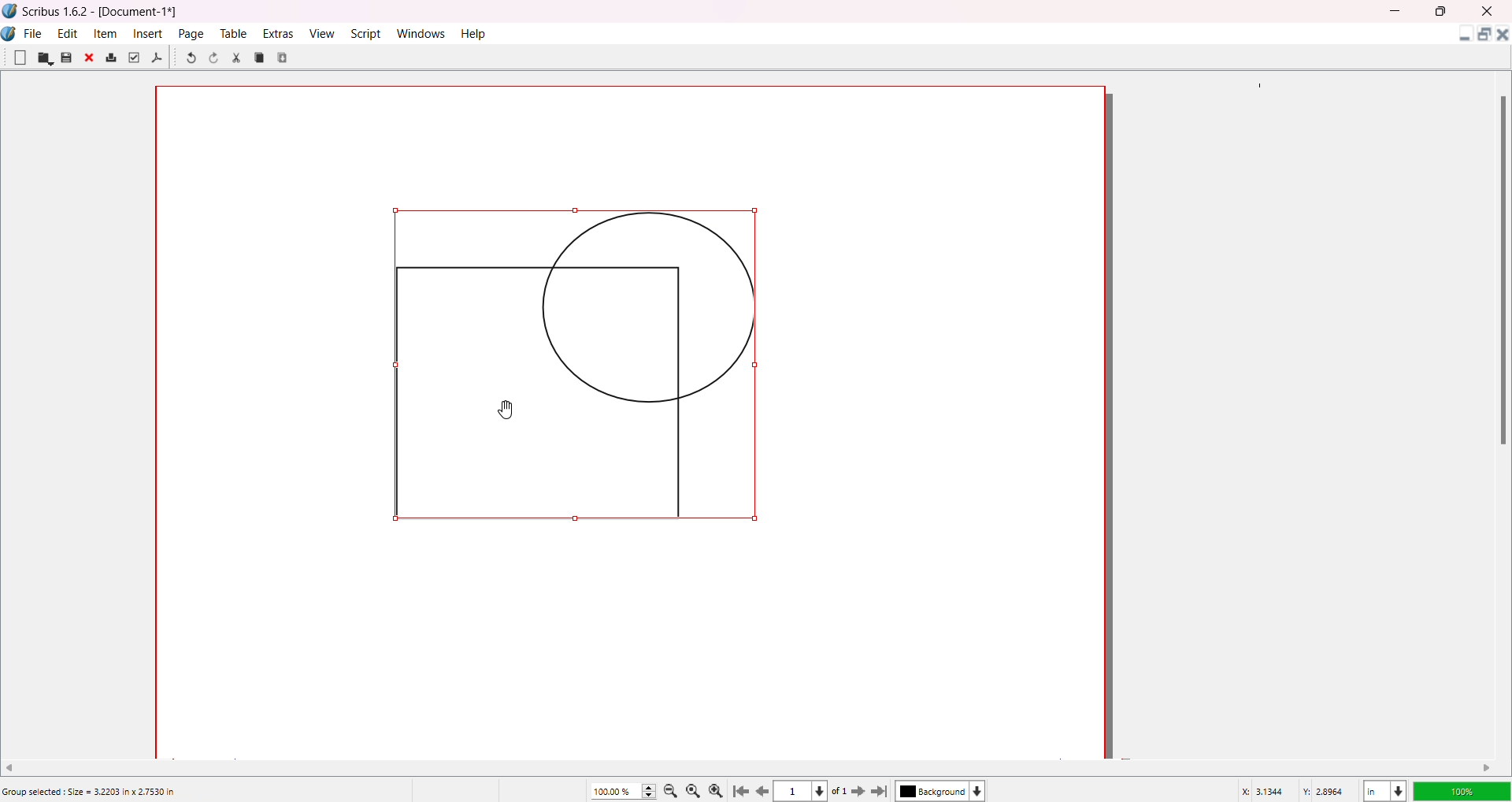 Image resolution: width=1512 pixels, height=802 pixels. What do you see at coordinates (475, 33) in the screenshot?
I see `Help` at bounding box center [475, 33].